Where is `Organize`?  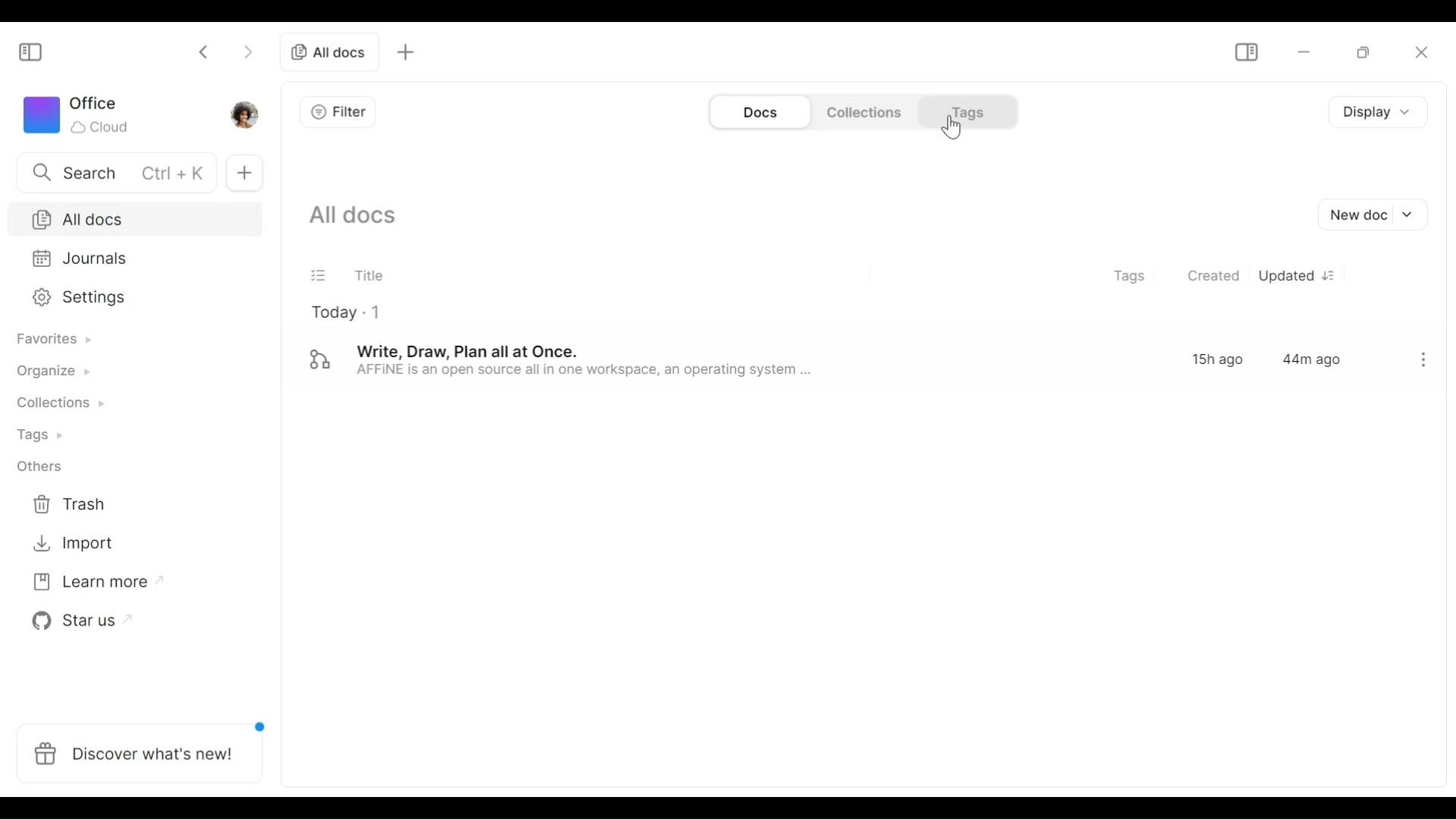
Organize is located at coordinates (57, 372).